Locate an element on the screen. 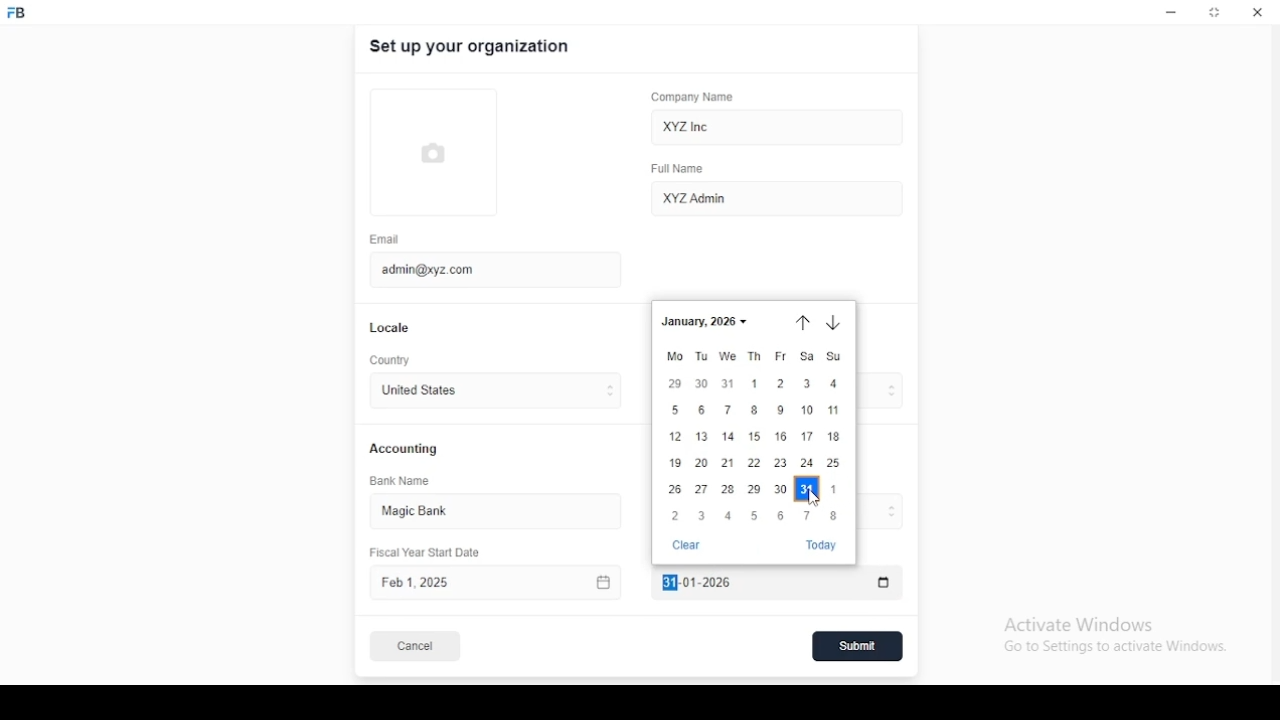 The height and width of the screenshot is (720, 1280). accounting is located at coordinates (405, 448).